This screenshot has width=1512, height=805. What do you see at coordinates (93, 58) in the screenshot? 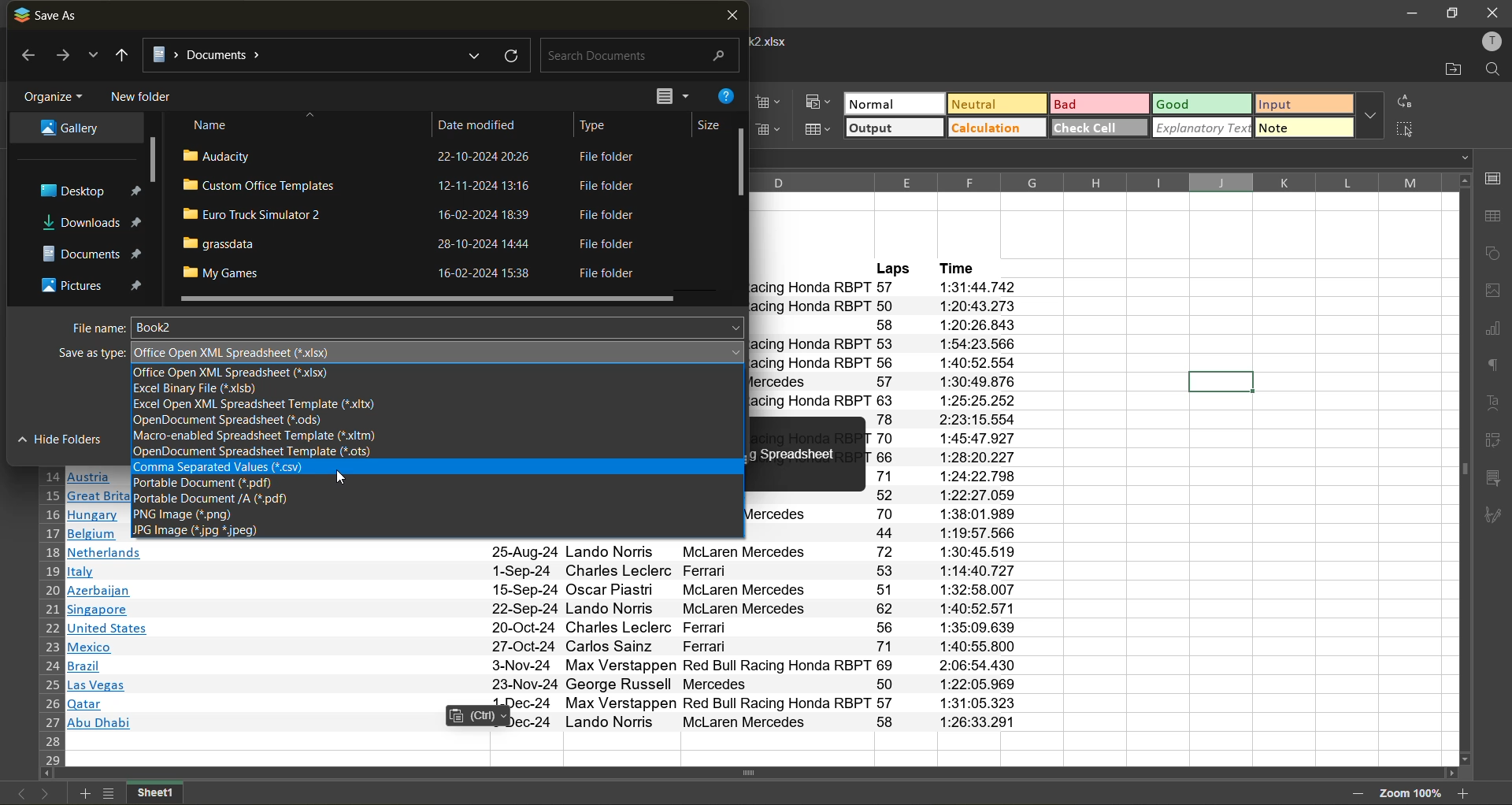
I see `browse` at bounding box center [93, 58].